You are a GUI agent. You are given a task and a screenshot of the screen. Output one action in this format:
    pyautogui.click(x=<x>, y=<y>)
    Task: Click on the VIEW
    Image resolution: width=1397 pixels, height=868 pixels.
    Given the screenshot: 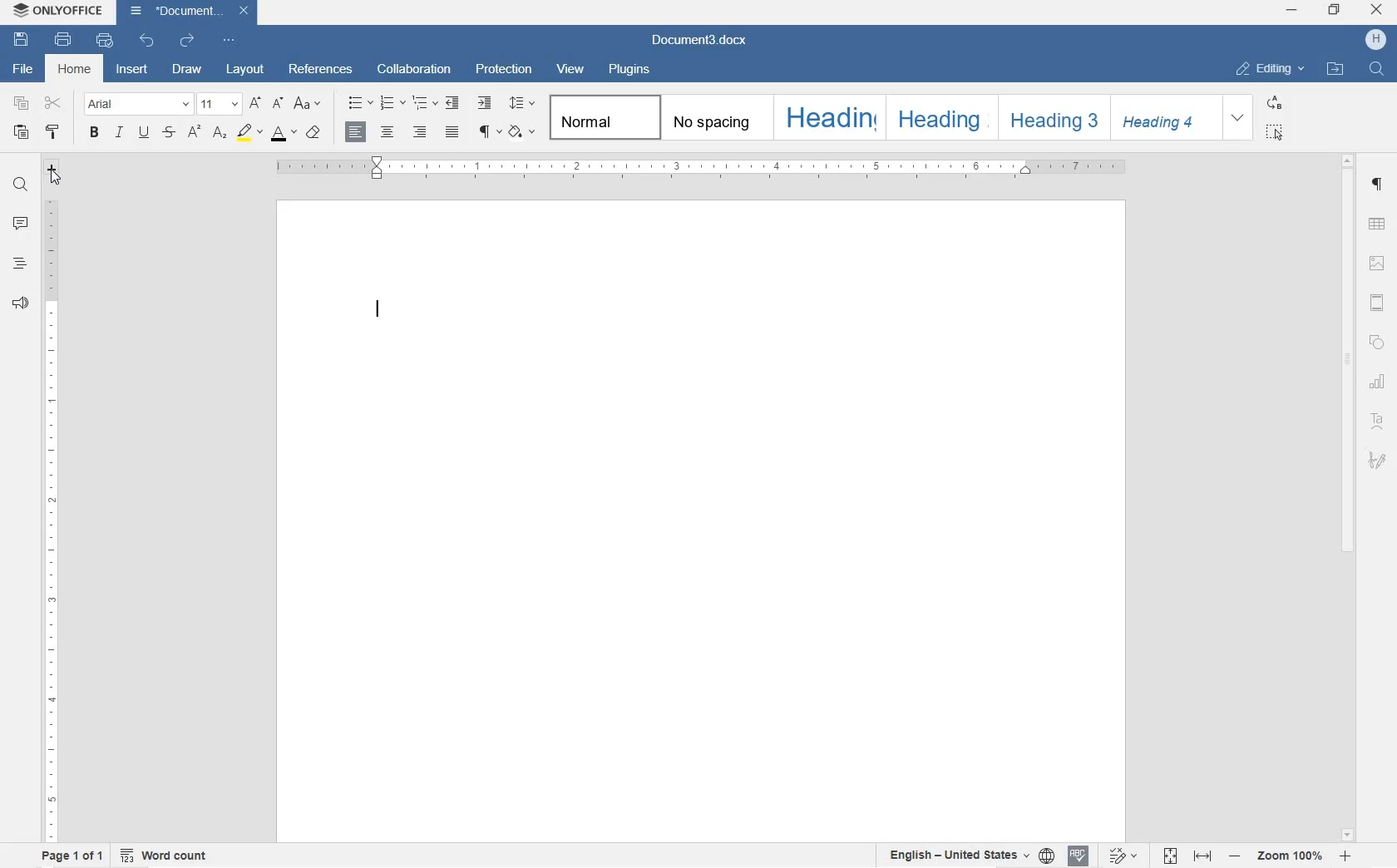 What is the action you would take?
    pyautogui.click(x=572, y=68)
    